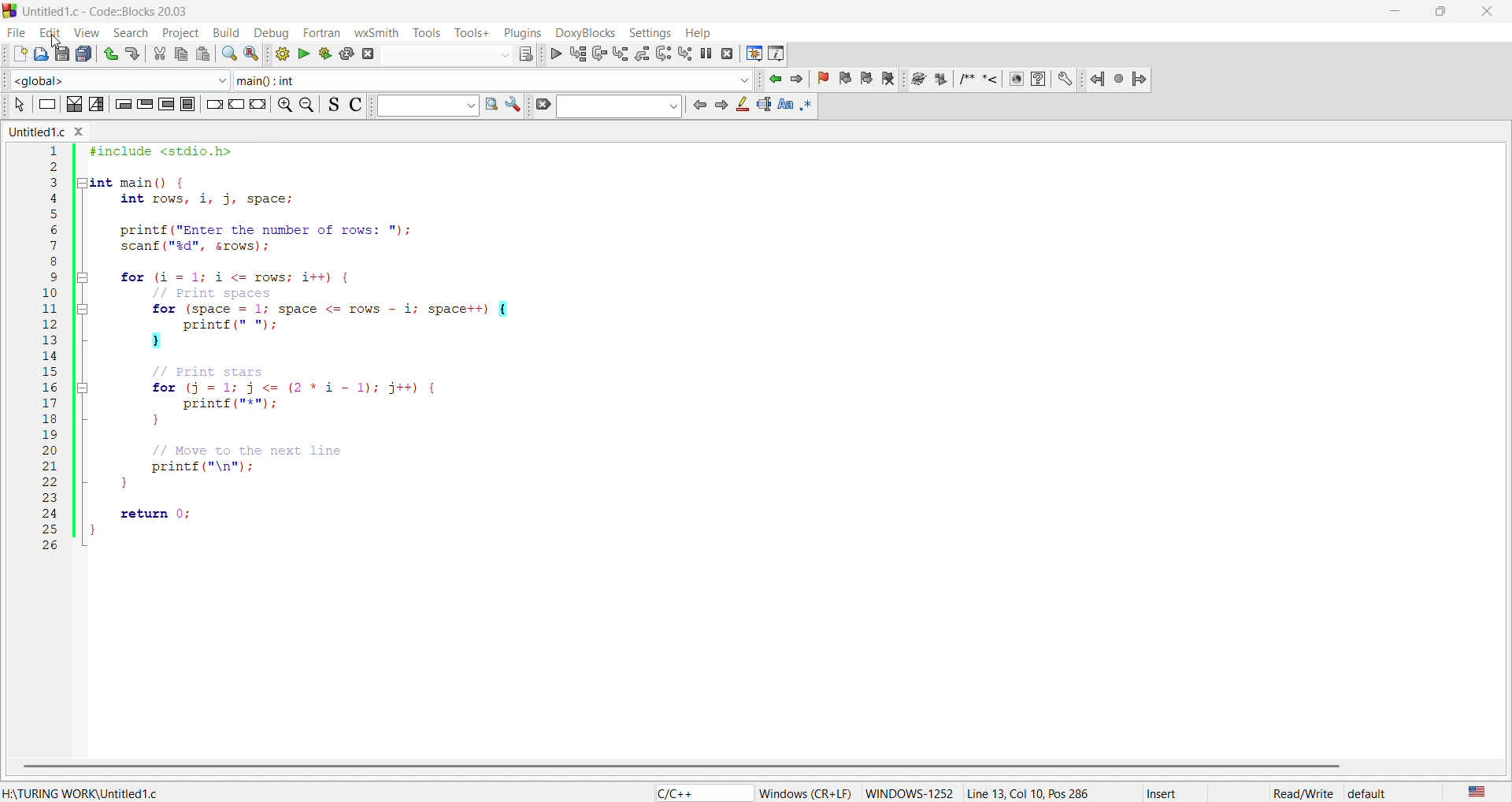 This screenshot has height=802, width=1512. What do you see at coordinates (321, 31) in the screenshot?
I see `fortan` at bounding box center [321, 31].